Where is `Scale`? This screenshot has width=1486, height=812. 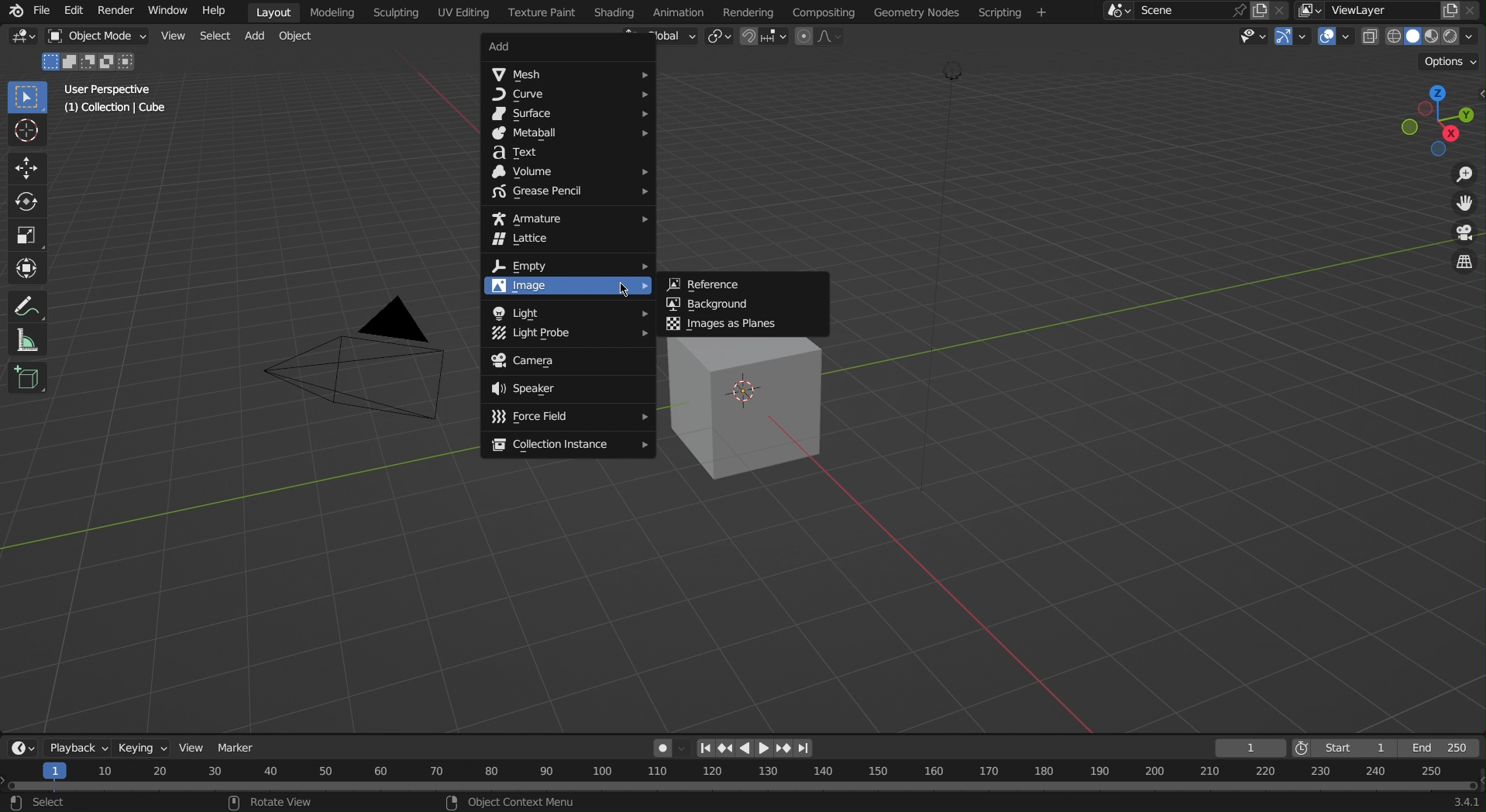 Scale is located at coordinates (25, 232).